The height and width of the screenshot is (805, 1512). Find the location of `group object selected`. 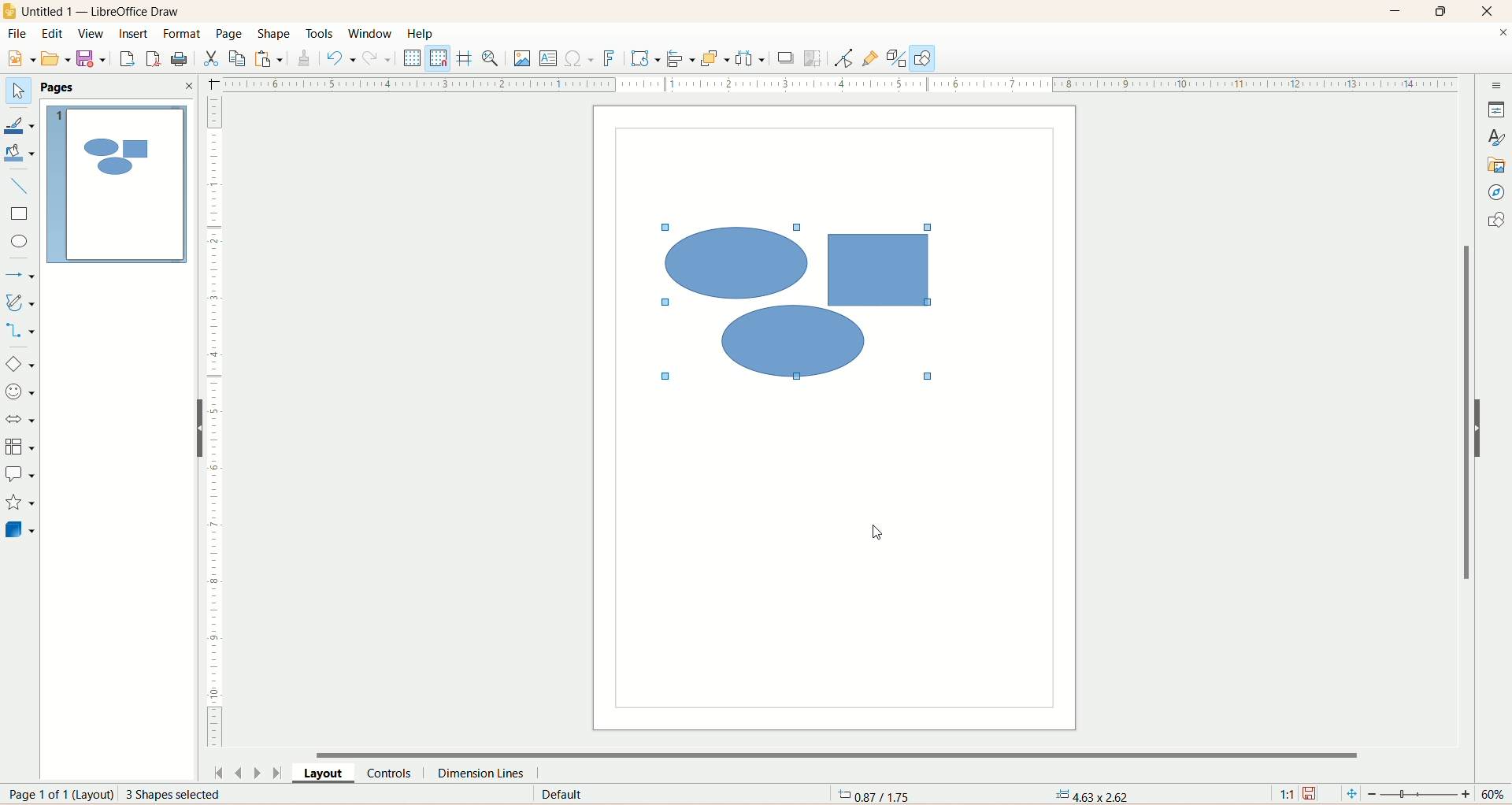

group object selected is located at coordinates (192, 796).